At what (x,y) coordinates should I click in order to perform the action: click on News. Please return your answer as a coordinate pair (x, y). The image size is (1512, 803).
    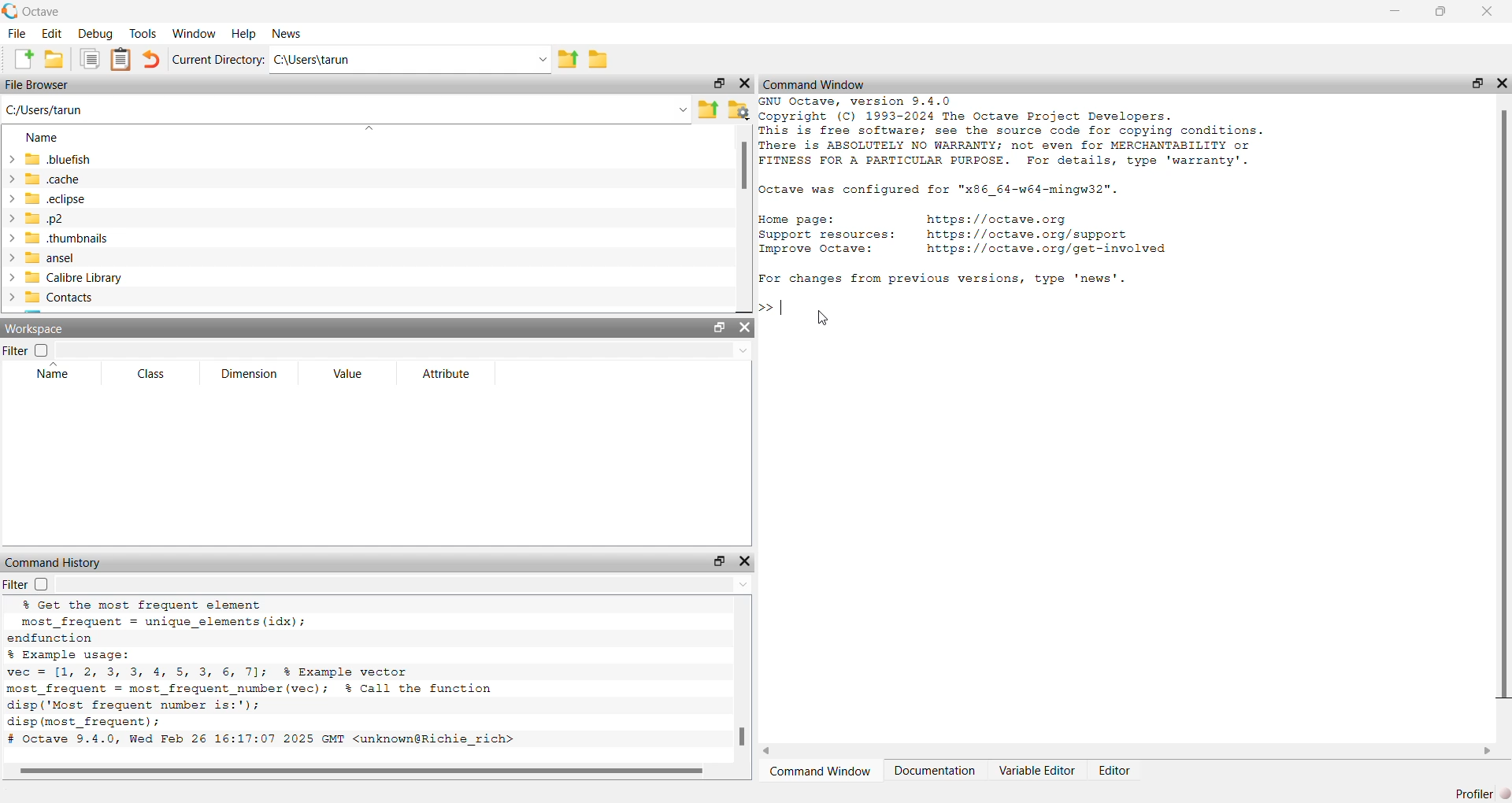
    Looking at the image, I should click on (286, 33).